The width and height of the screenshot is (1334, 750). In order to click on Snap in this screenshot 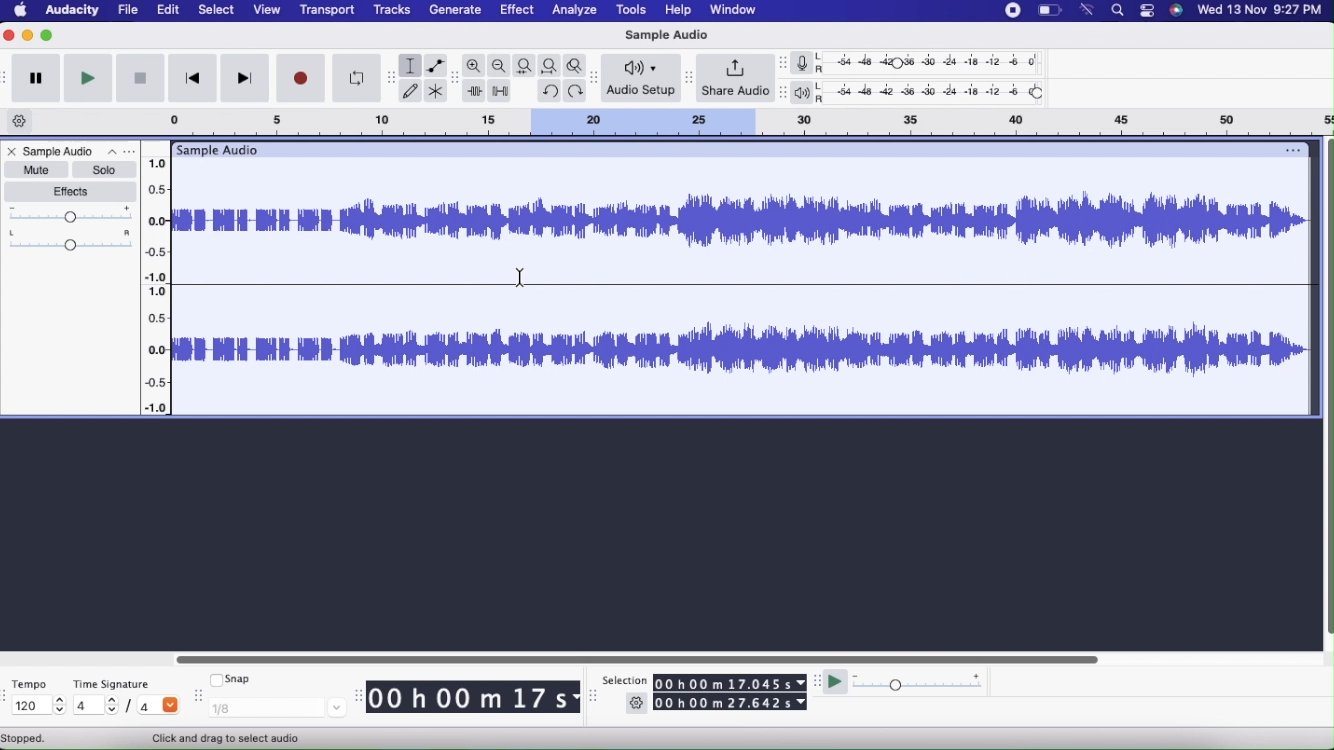, I will do `click(231, 677)`.